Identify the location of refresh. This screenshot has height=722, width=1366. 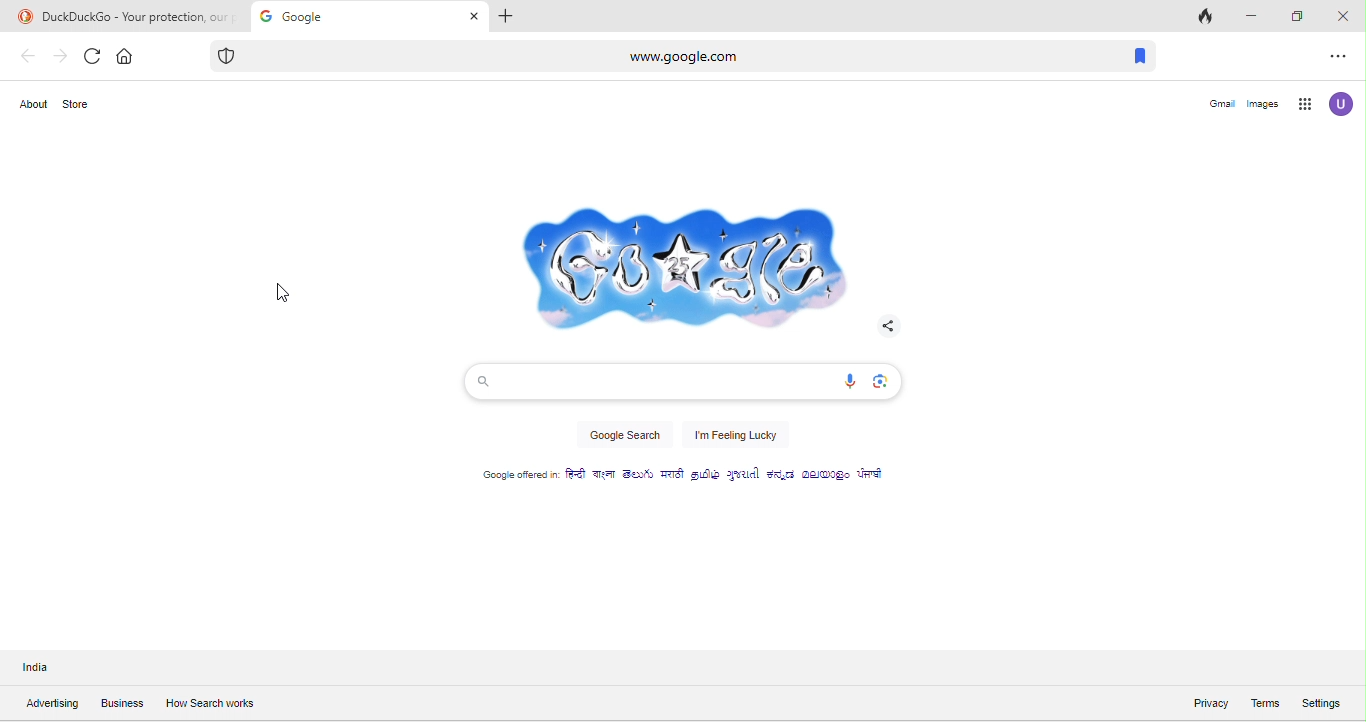
(92, 57).